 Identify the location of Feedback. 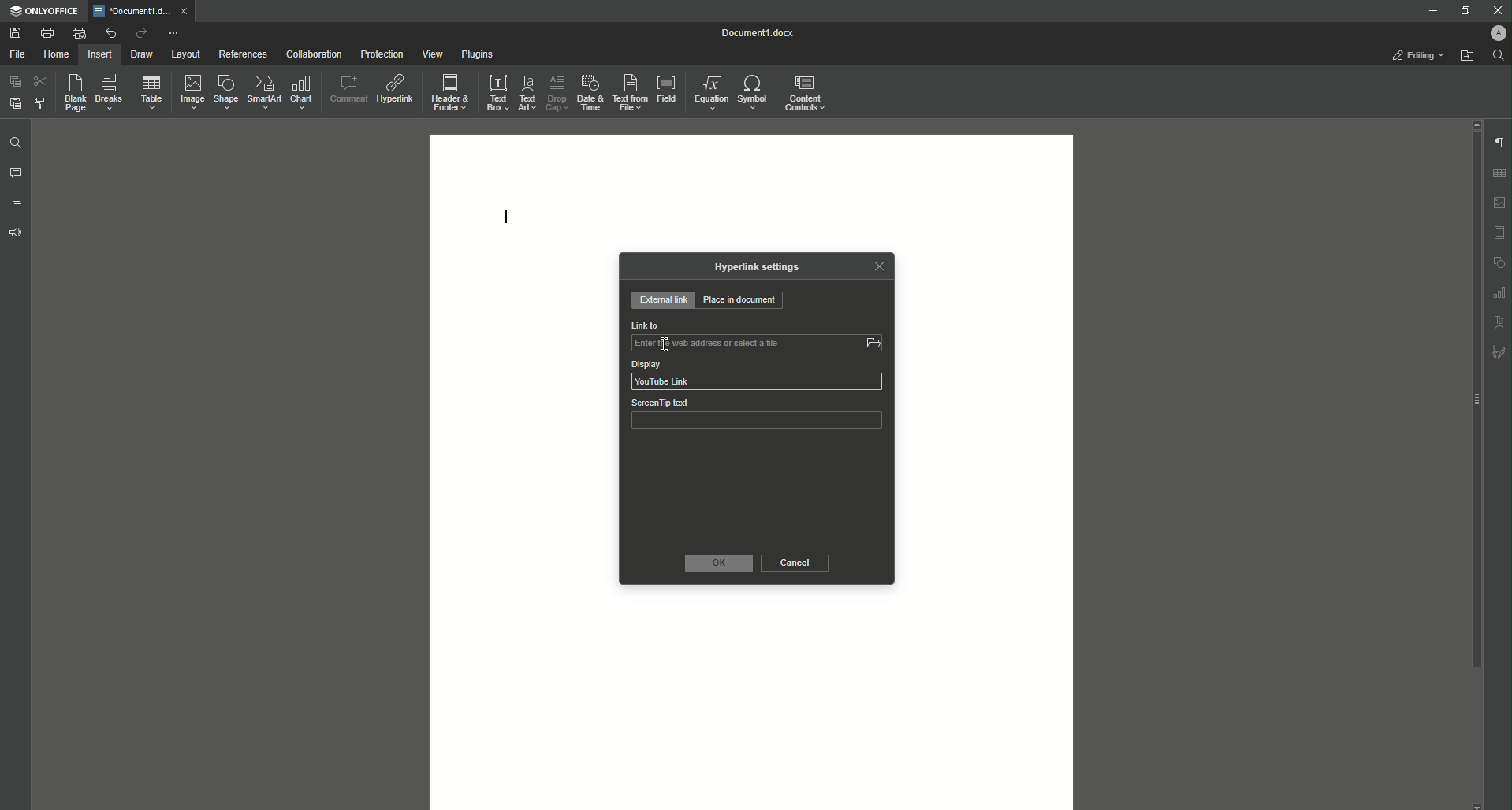
(16, 232).